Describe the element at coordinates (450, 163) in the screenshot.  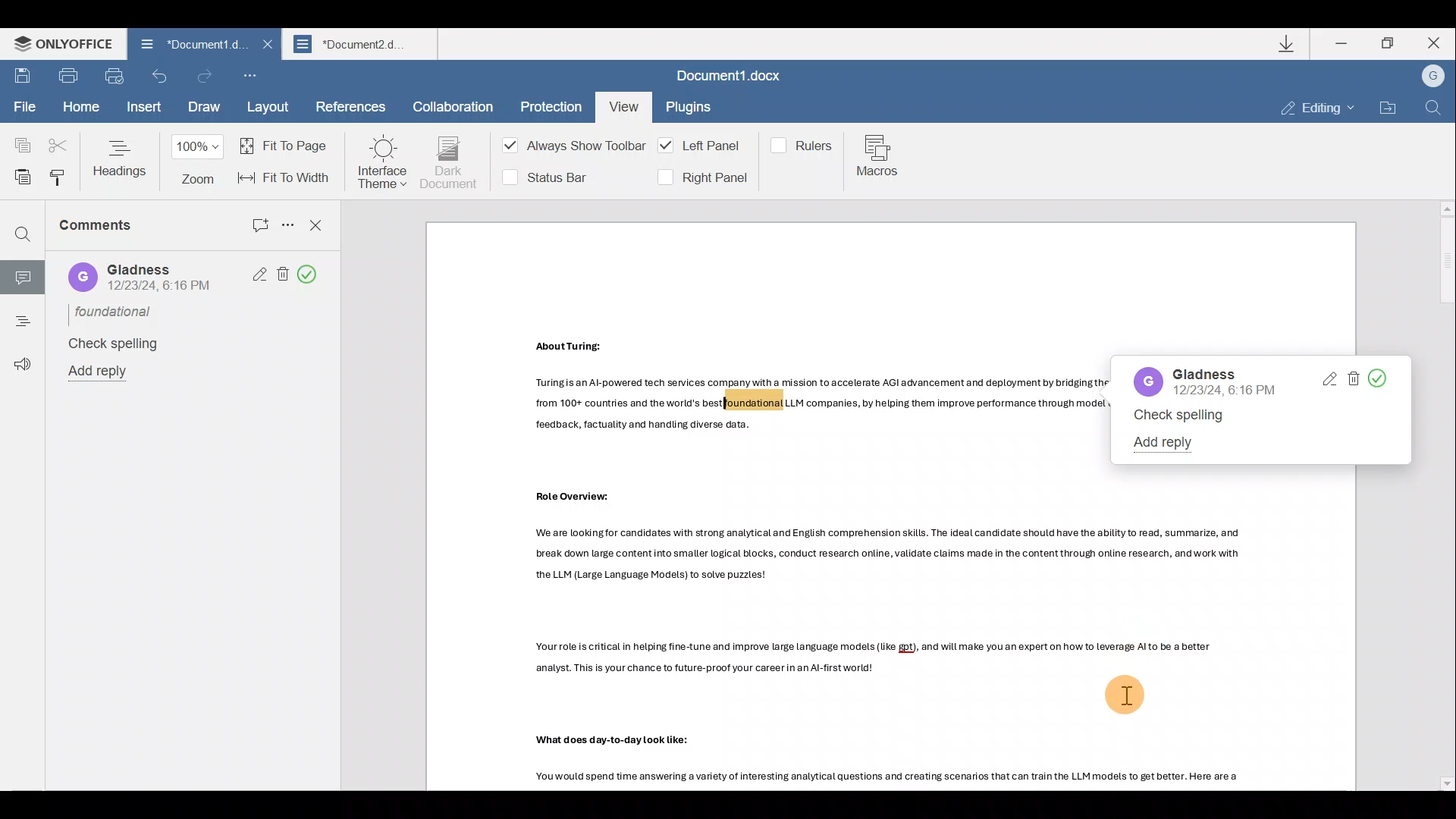
I see `Dark document` at that location.